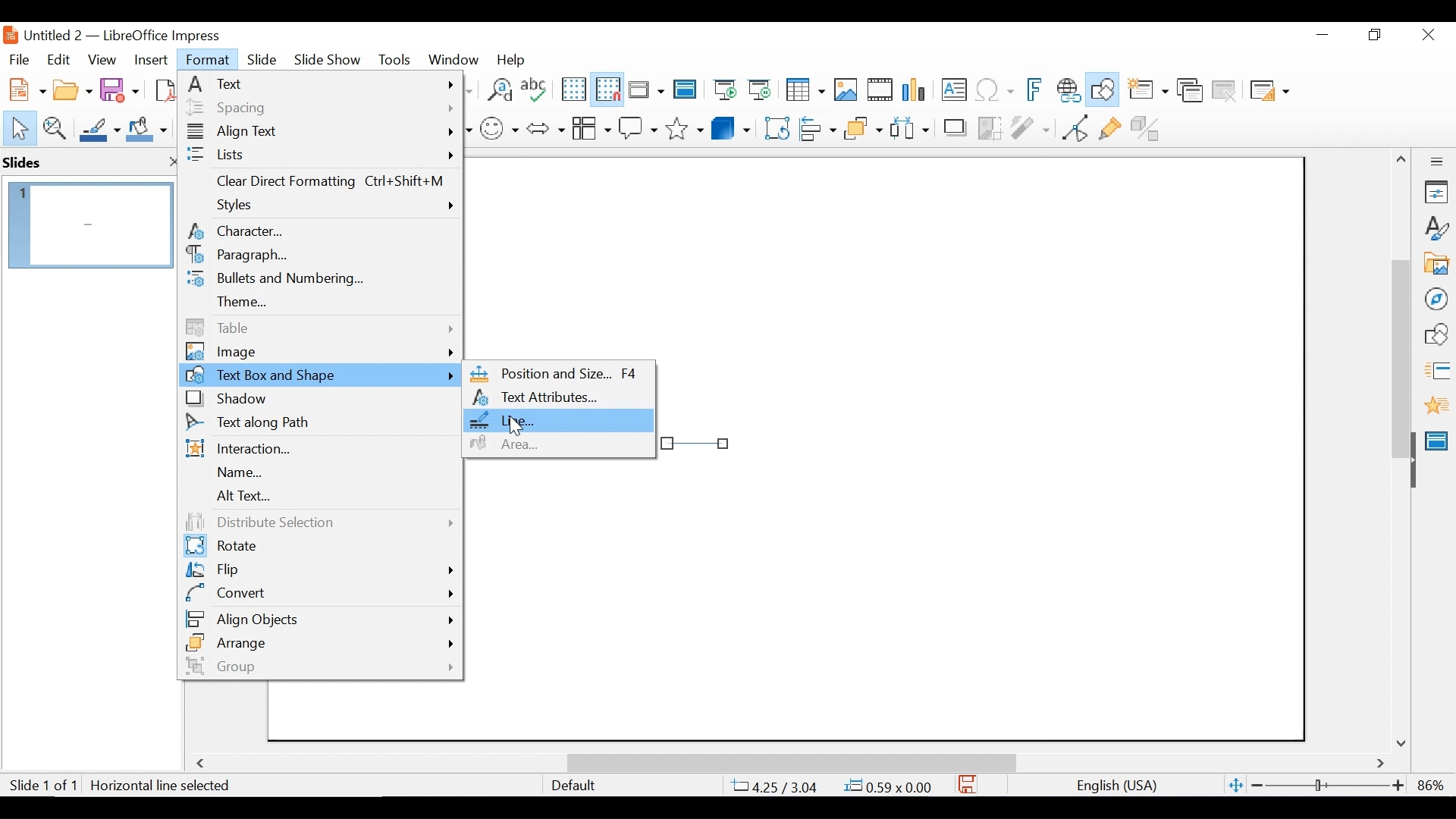 This screenshot has width=1456, height=819. Describe the element at coordinates (89, 224) in the screenshot. I see `Slide Preview` at that location.